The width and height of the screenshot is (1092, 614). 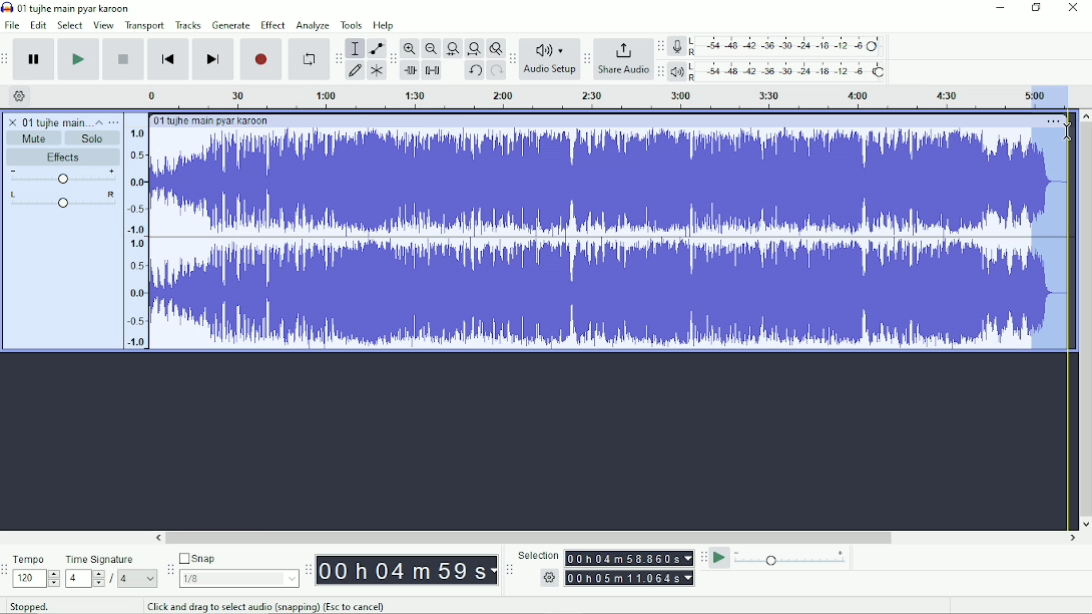 What do you see at coordinates (778, 71) in the screenshot?
I see `Playback meter` at bounding box center [778, 71].